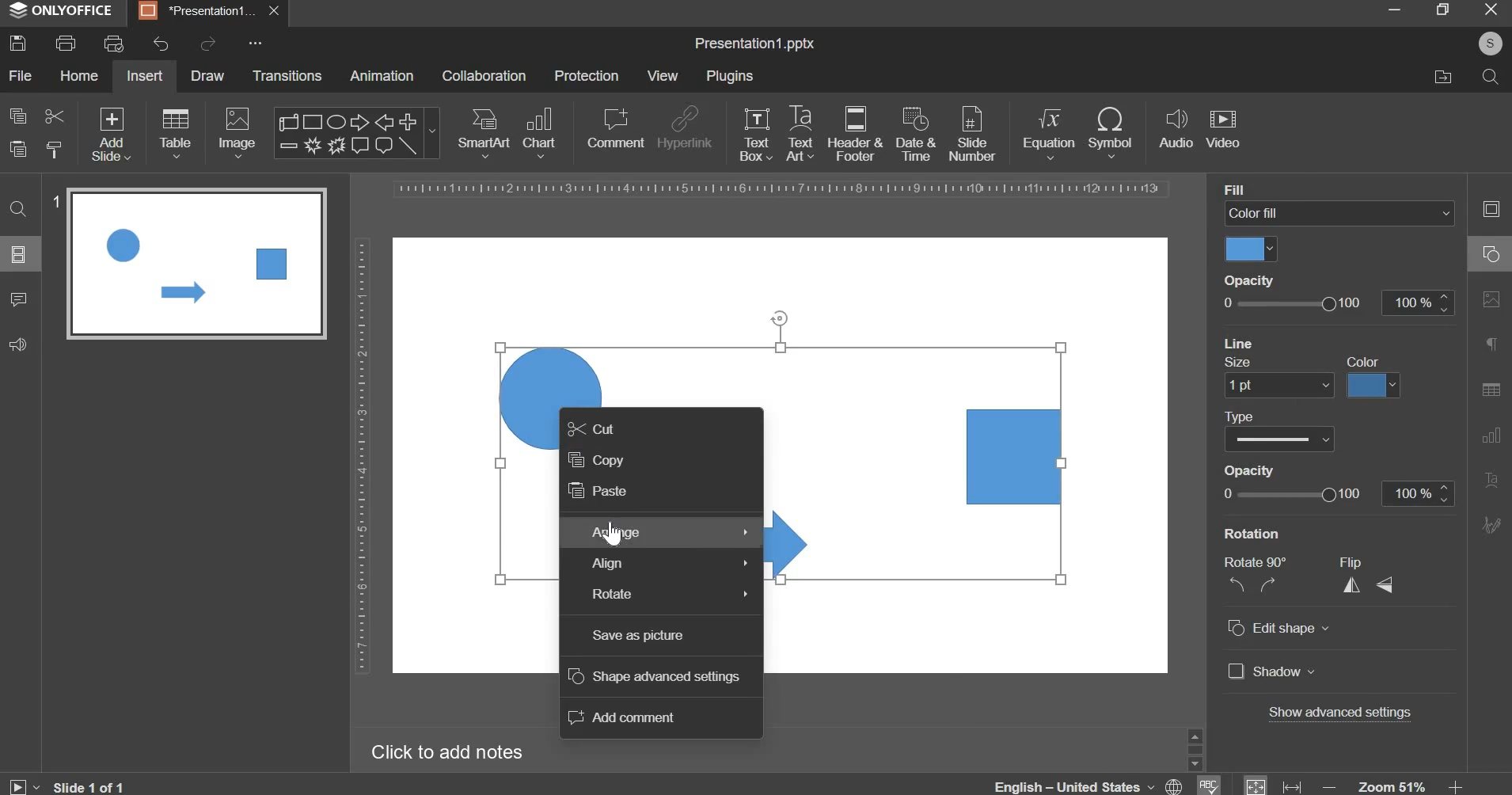  Describe the element at coordinates (1252, 280) in the screenshot. I see `Opacity` at that location.